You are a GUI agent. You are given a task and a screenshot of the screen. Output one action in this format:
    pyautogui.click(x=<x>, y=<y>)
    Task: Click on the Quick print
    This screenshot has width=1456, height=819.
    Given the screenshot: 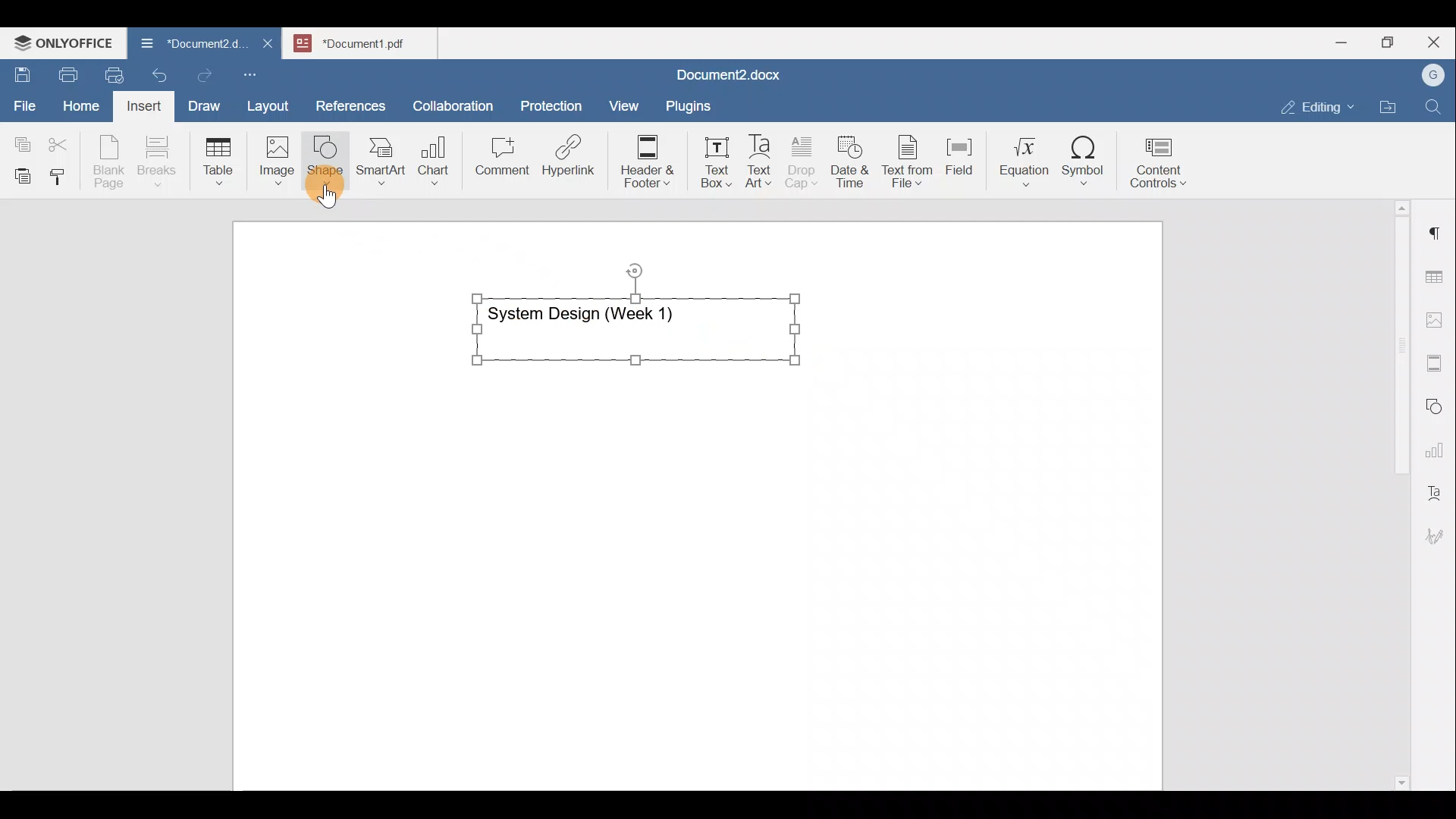 What is the action you would take?
    pyautogui.click(x=110, y=73)
    